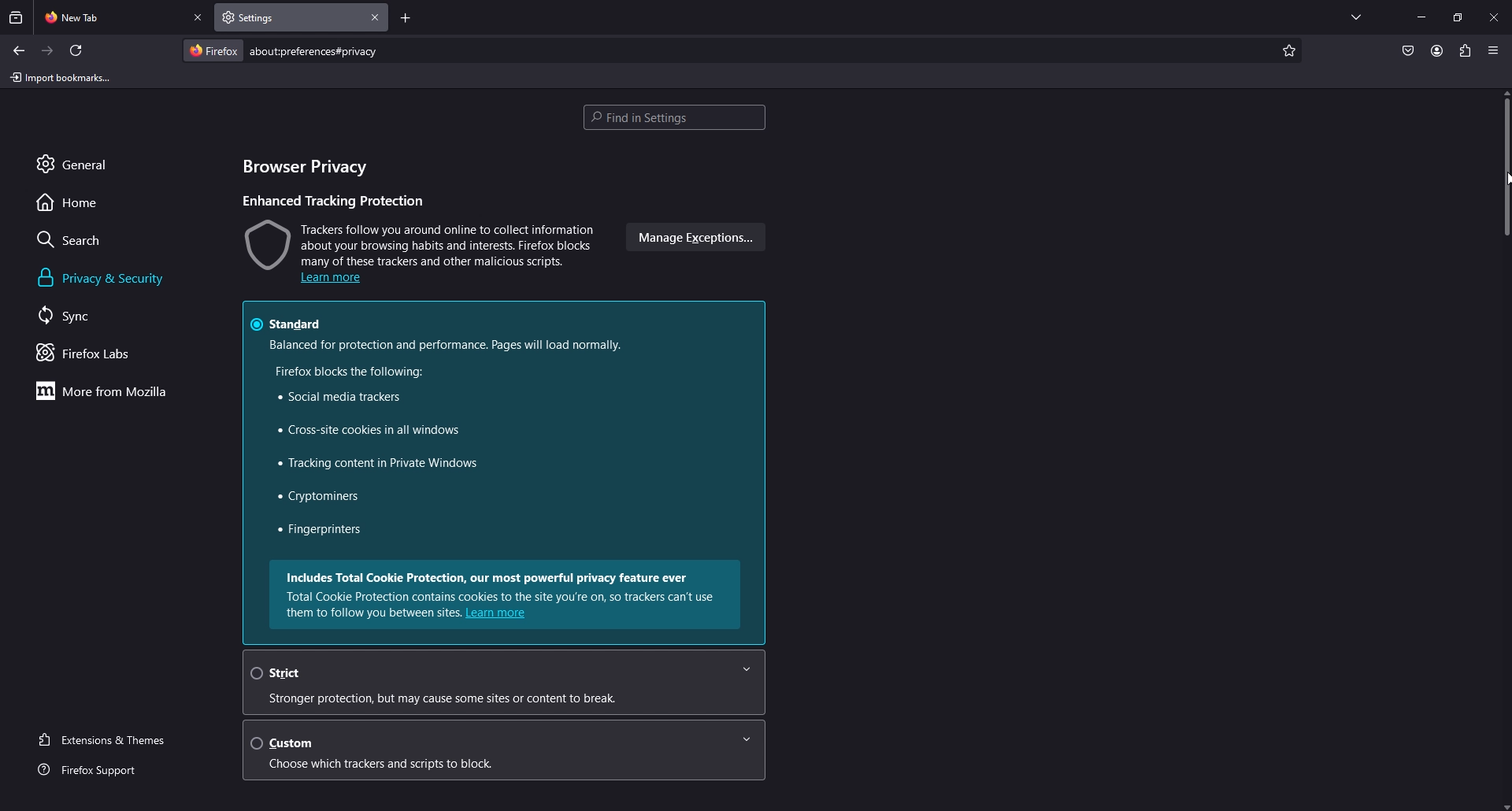  What do you see at coordinates (320, 497) in the screenshot?
I see `Cryptominers` at bounding box center [320, 497].